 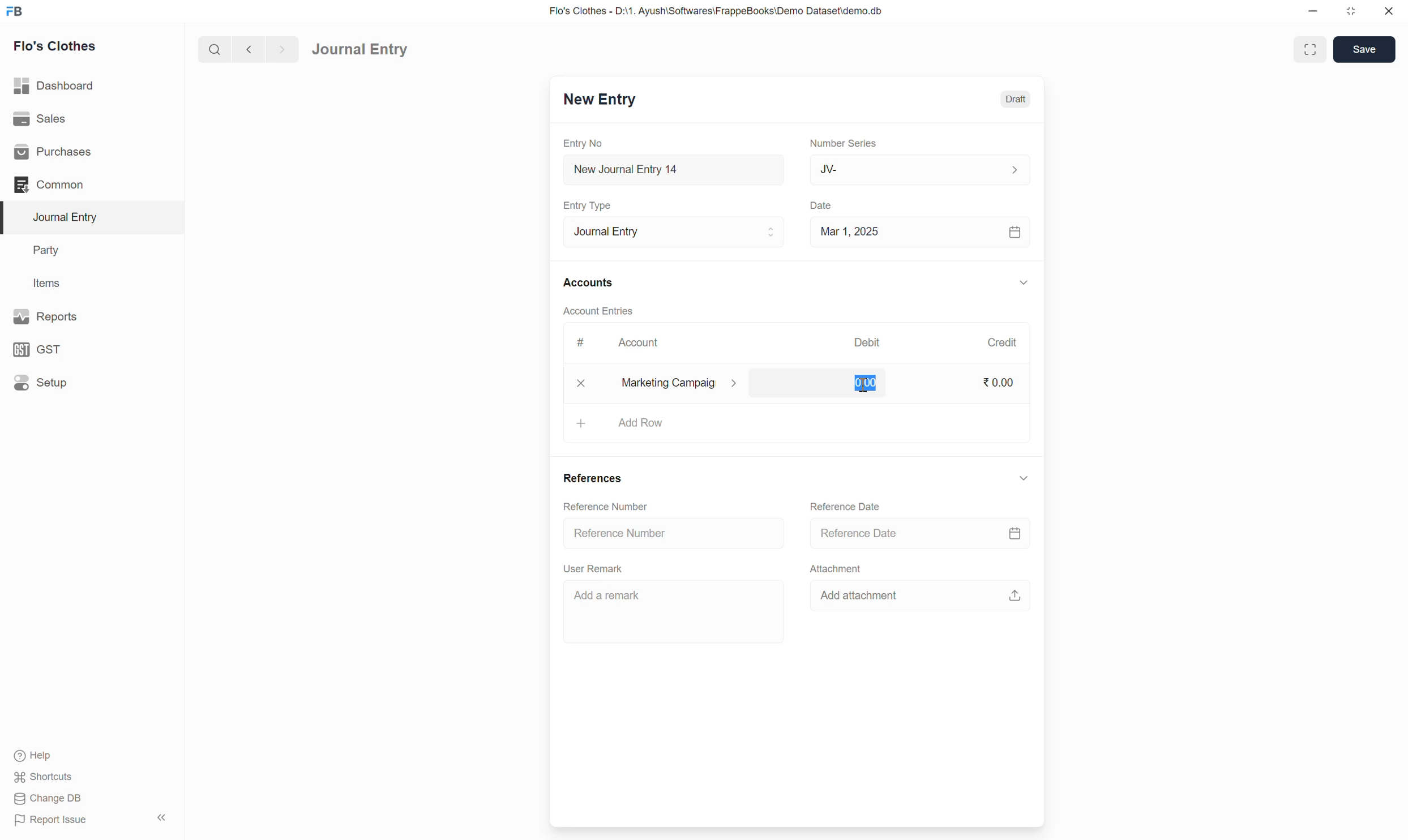 What do you see at coordinates (360, 50) in the screenshot?
I see `Journal Entry` at bounding box center [360, 50].